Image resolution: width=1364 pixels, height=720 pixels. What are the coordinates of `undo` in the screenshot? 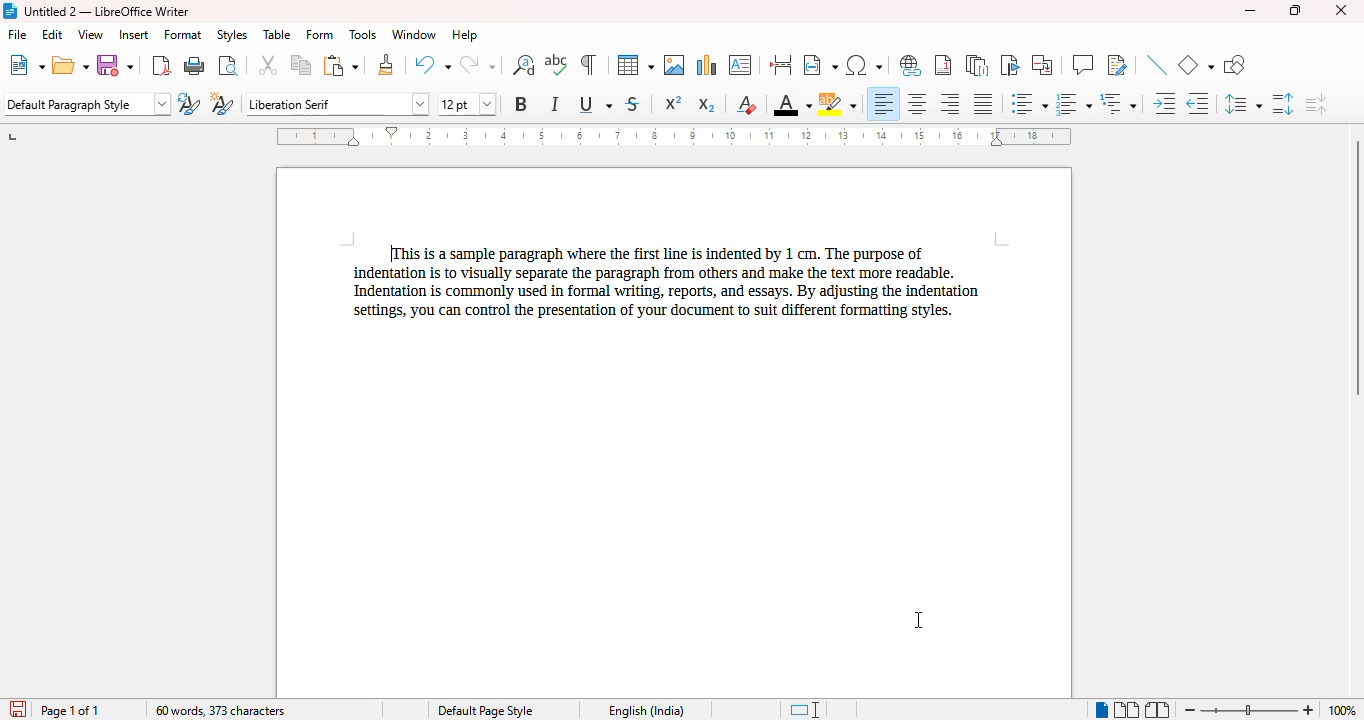 It's located at (432, 64).